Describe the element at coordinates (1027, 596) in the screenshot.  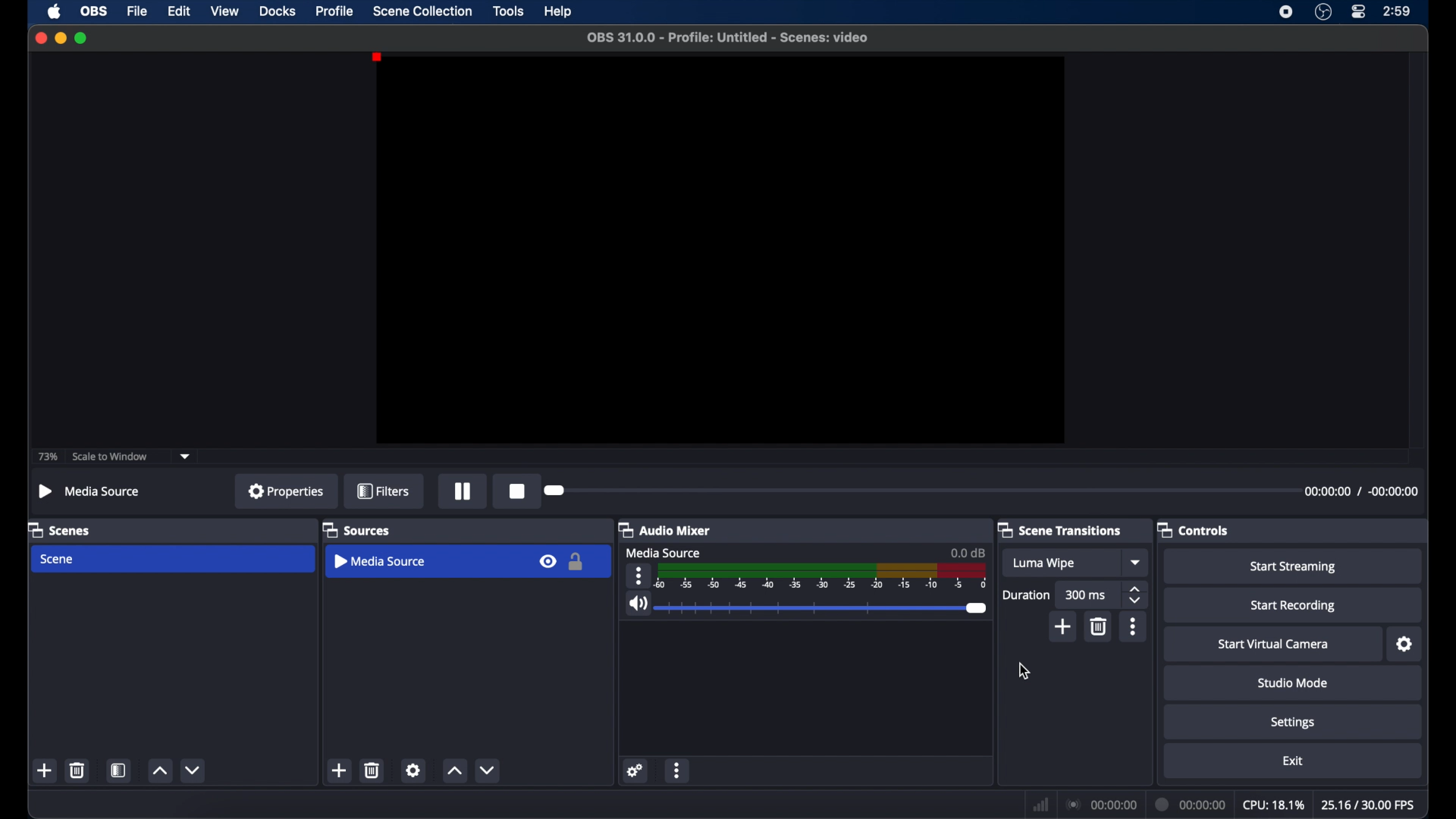
I see `duration` at that location.